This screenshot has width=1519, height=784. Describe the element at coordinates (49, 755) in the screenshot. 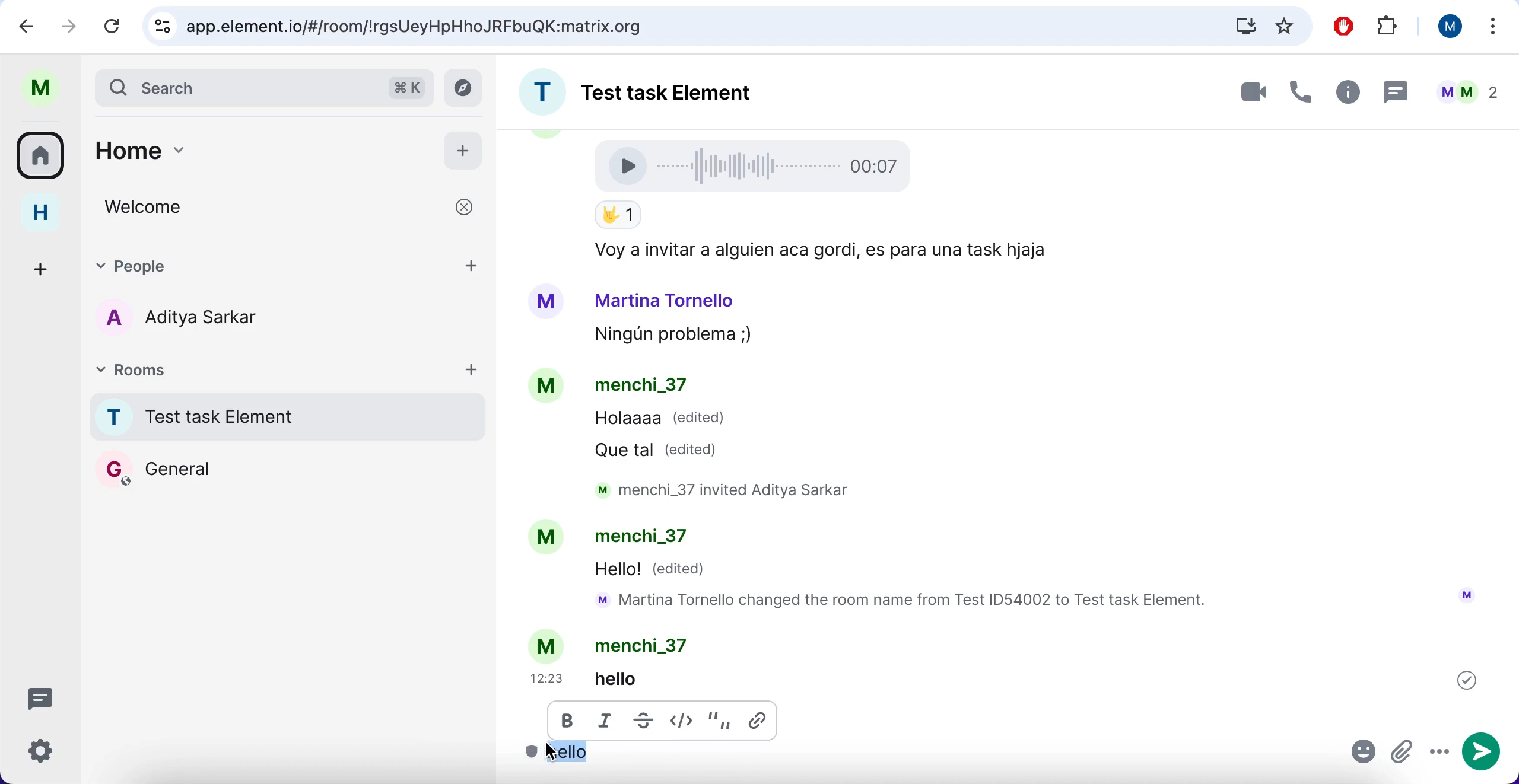

I see `quick settings` at that location.